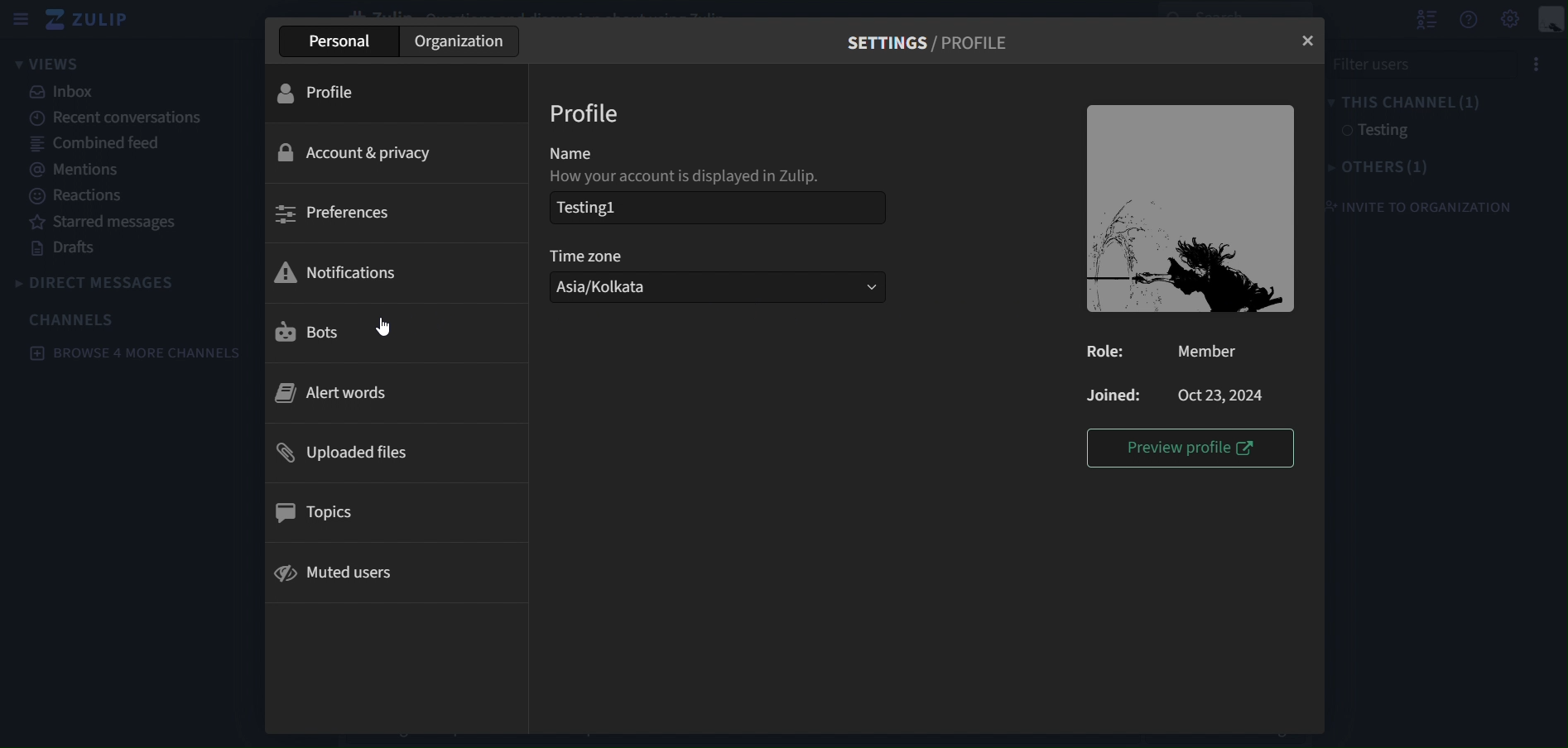 This screenshot has height=748, width=1568. What do you see at coordinates (344, 569) in the screenshot?
I see `muted users` at bounding box center [344, 569].